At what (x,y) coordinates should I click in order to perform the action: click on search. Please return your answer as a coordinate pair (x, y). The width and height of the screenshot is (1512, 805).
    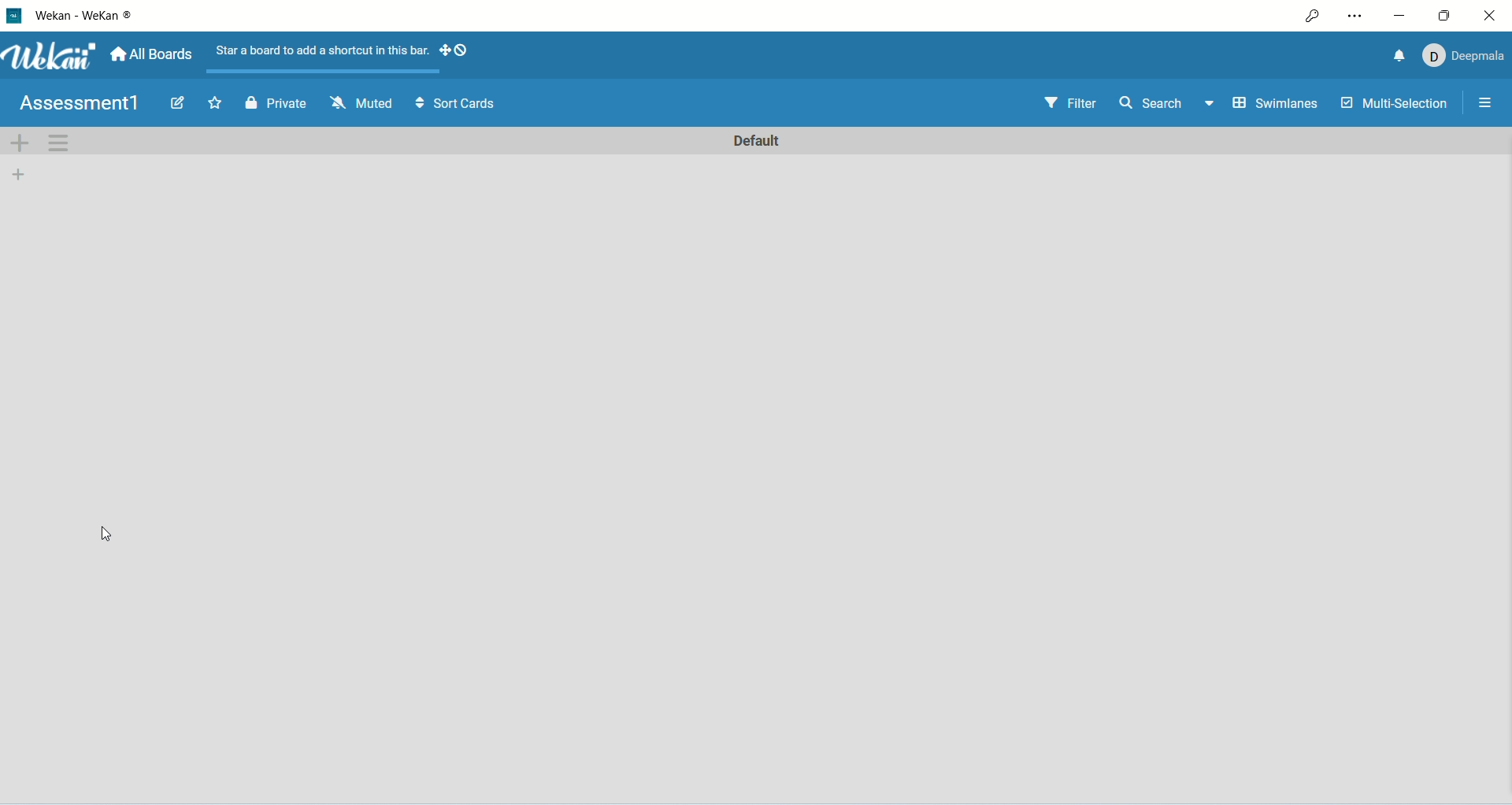
    Looking at the image, I should click on (1165, 105).